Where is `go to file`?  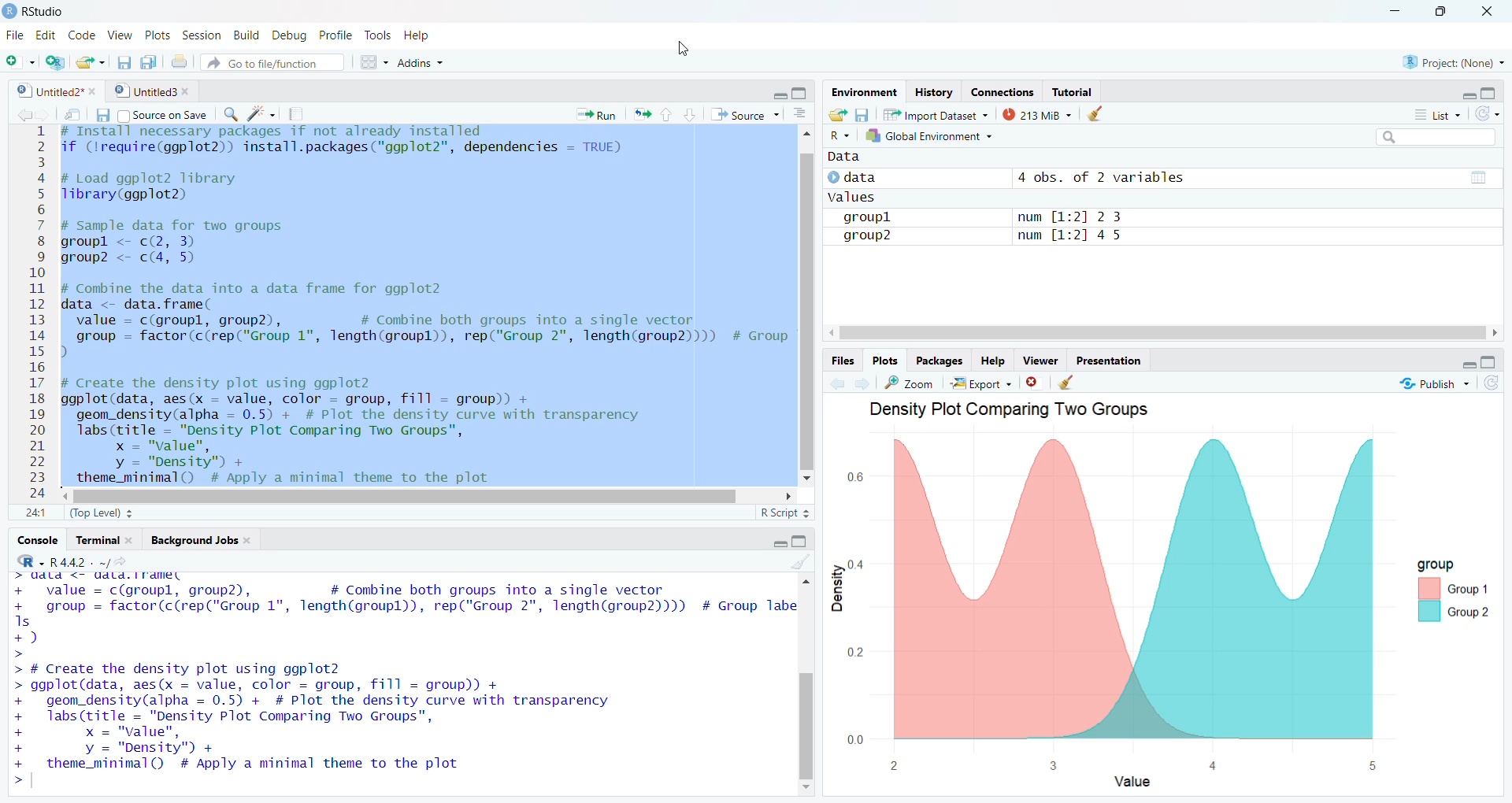 go to file is located at coordinates (269, 62).